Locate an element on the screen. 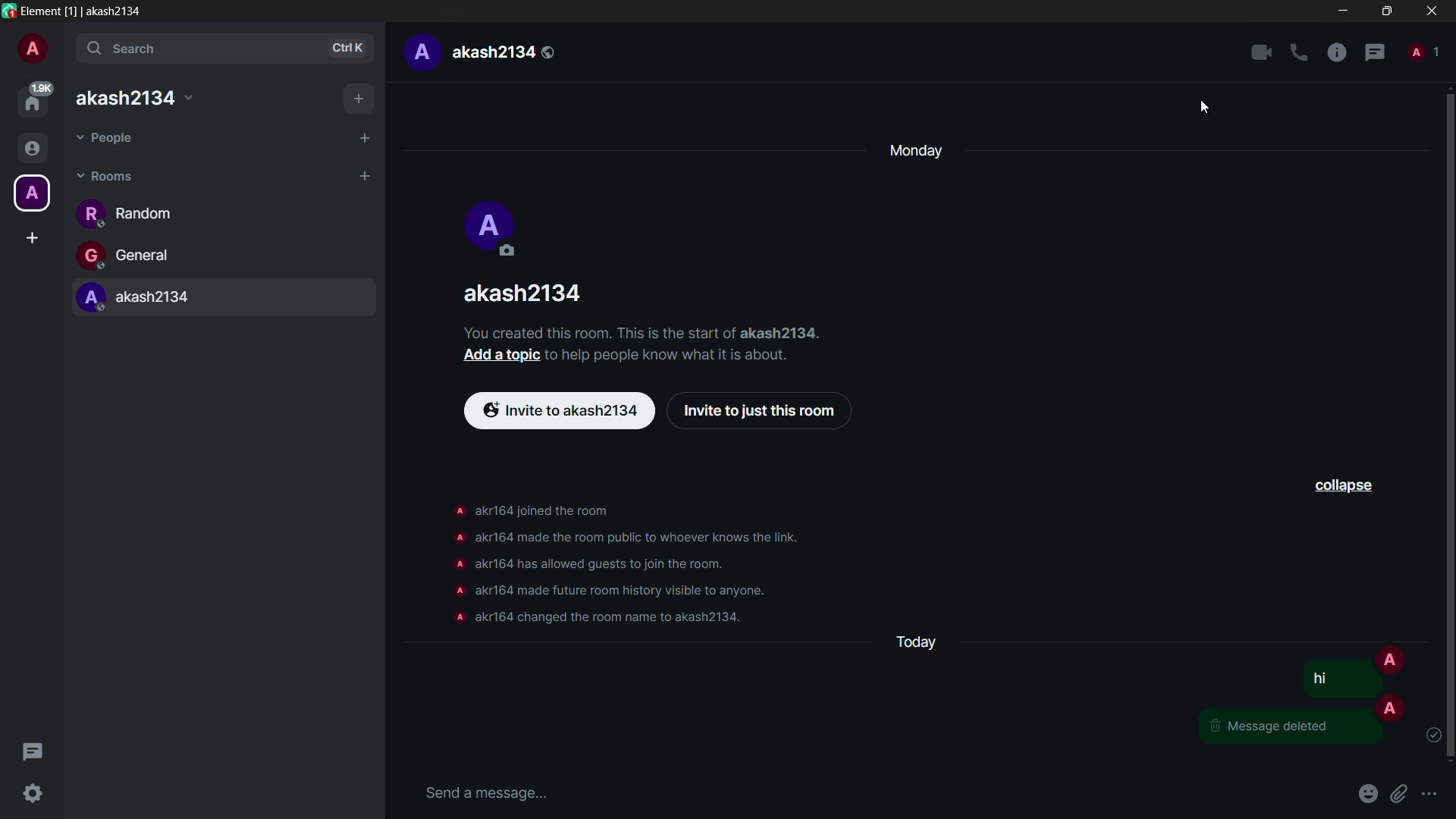  profile is located at coordinates (32, 51).